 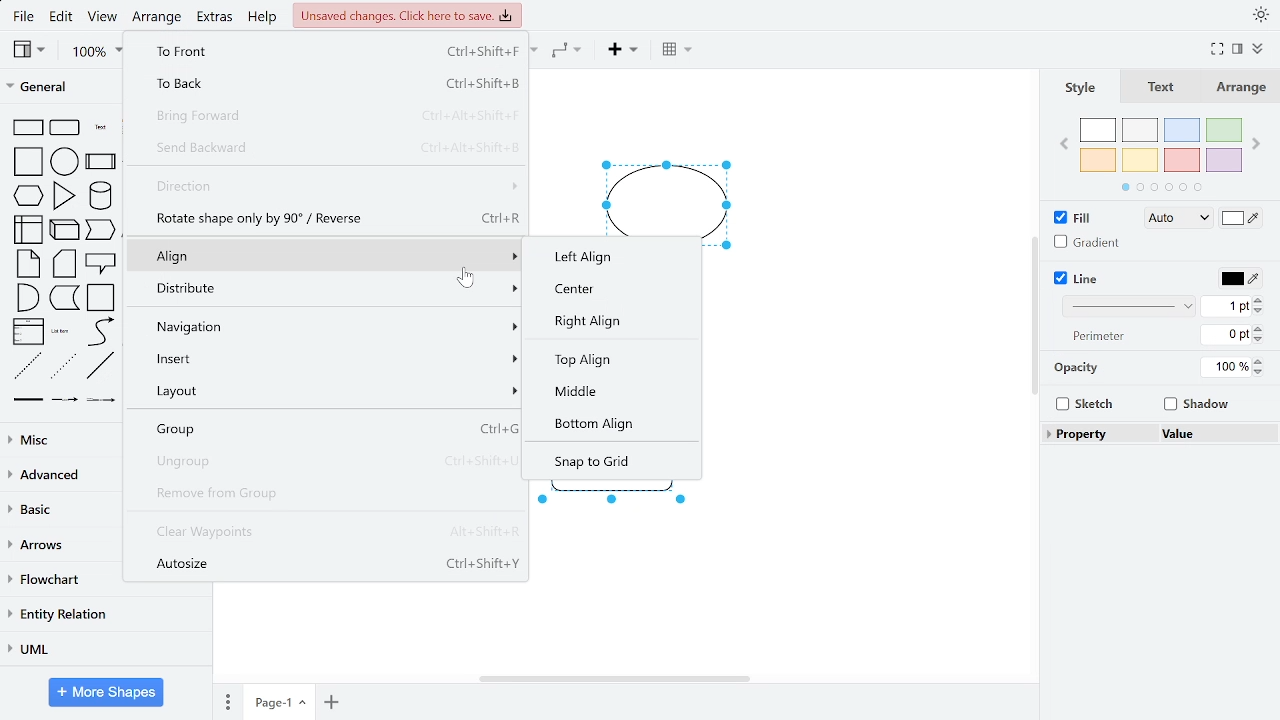 What do you see at coordinates (1098, 160) in the screenshot?
I see `orange` at bounding box center [1098, 160].